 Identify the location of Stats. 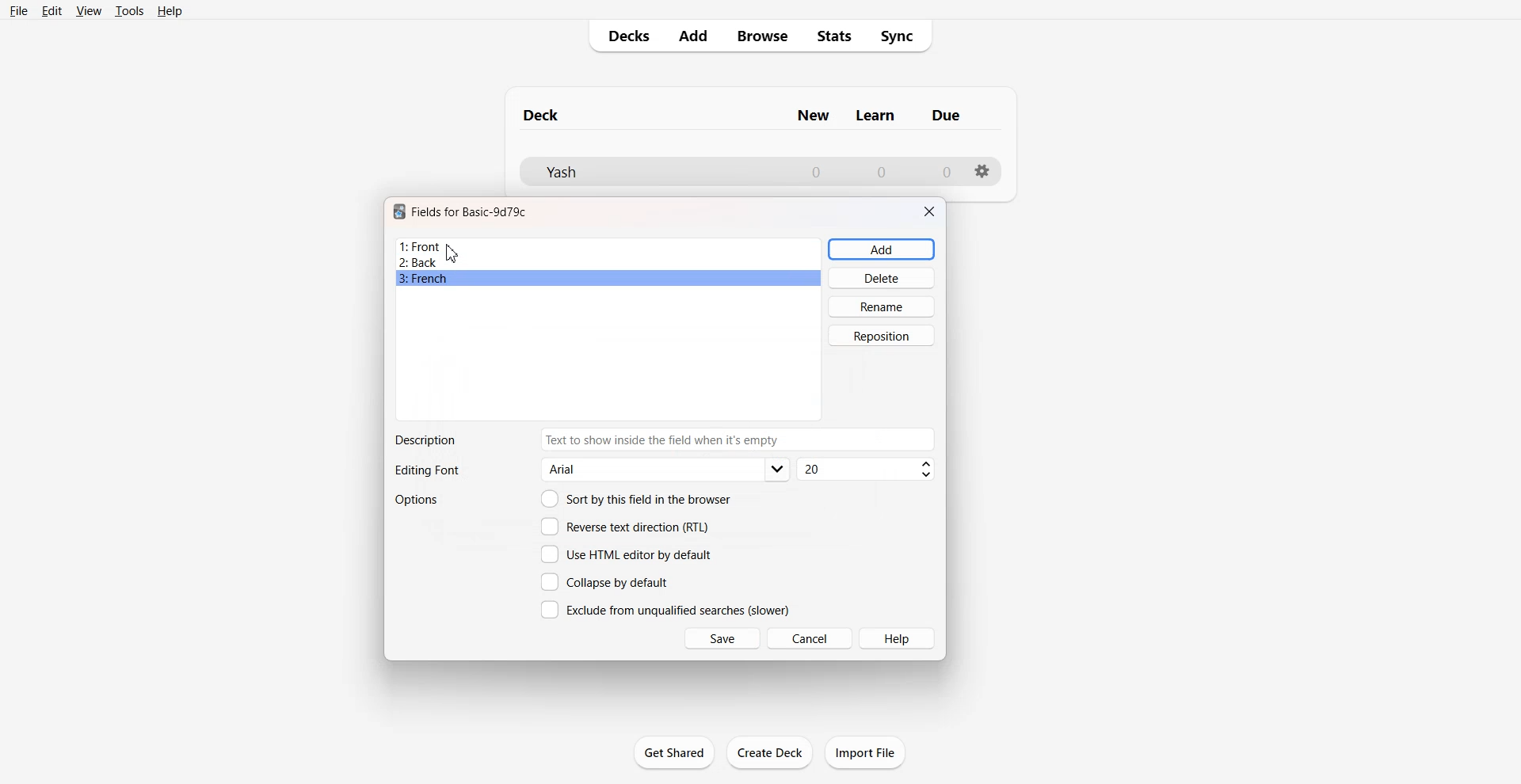
(835, 36).